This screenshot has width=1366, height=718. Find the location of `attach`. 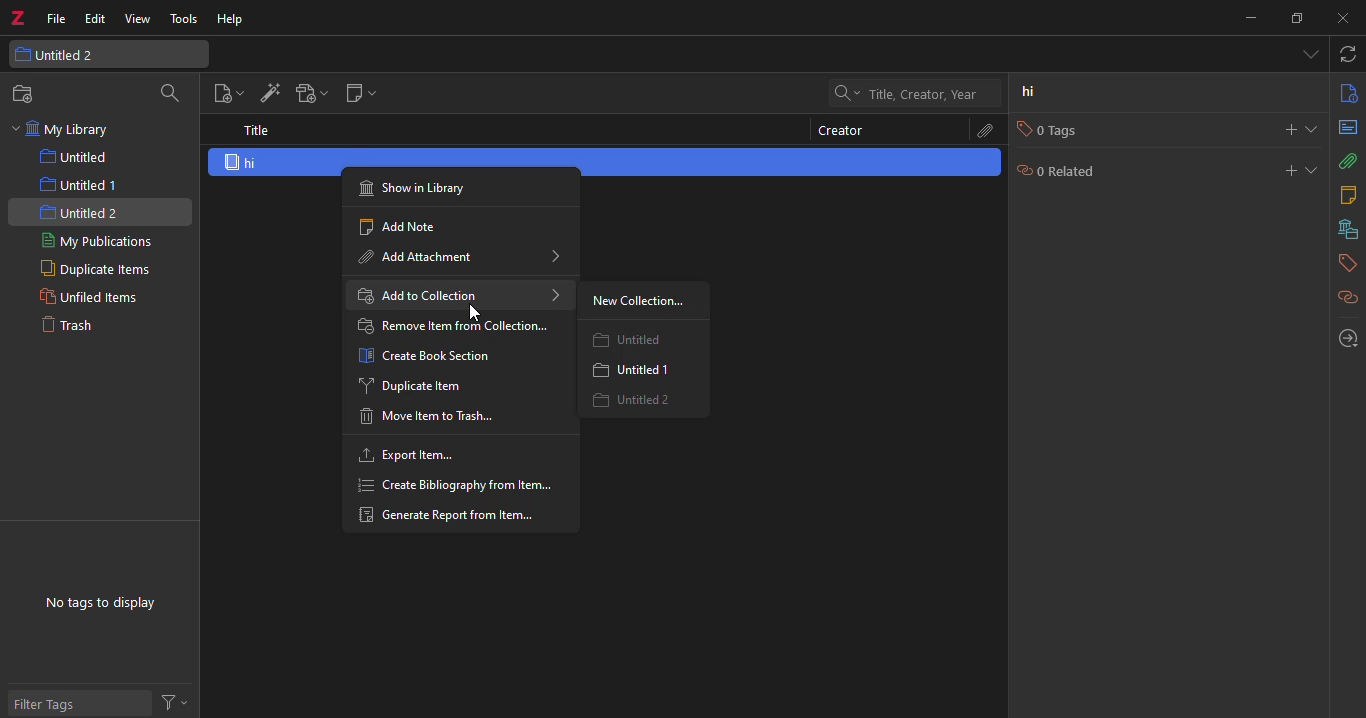

attach is located at coordinates (1347, 163).